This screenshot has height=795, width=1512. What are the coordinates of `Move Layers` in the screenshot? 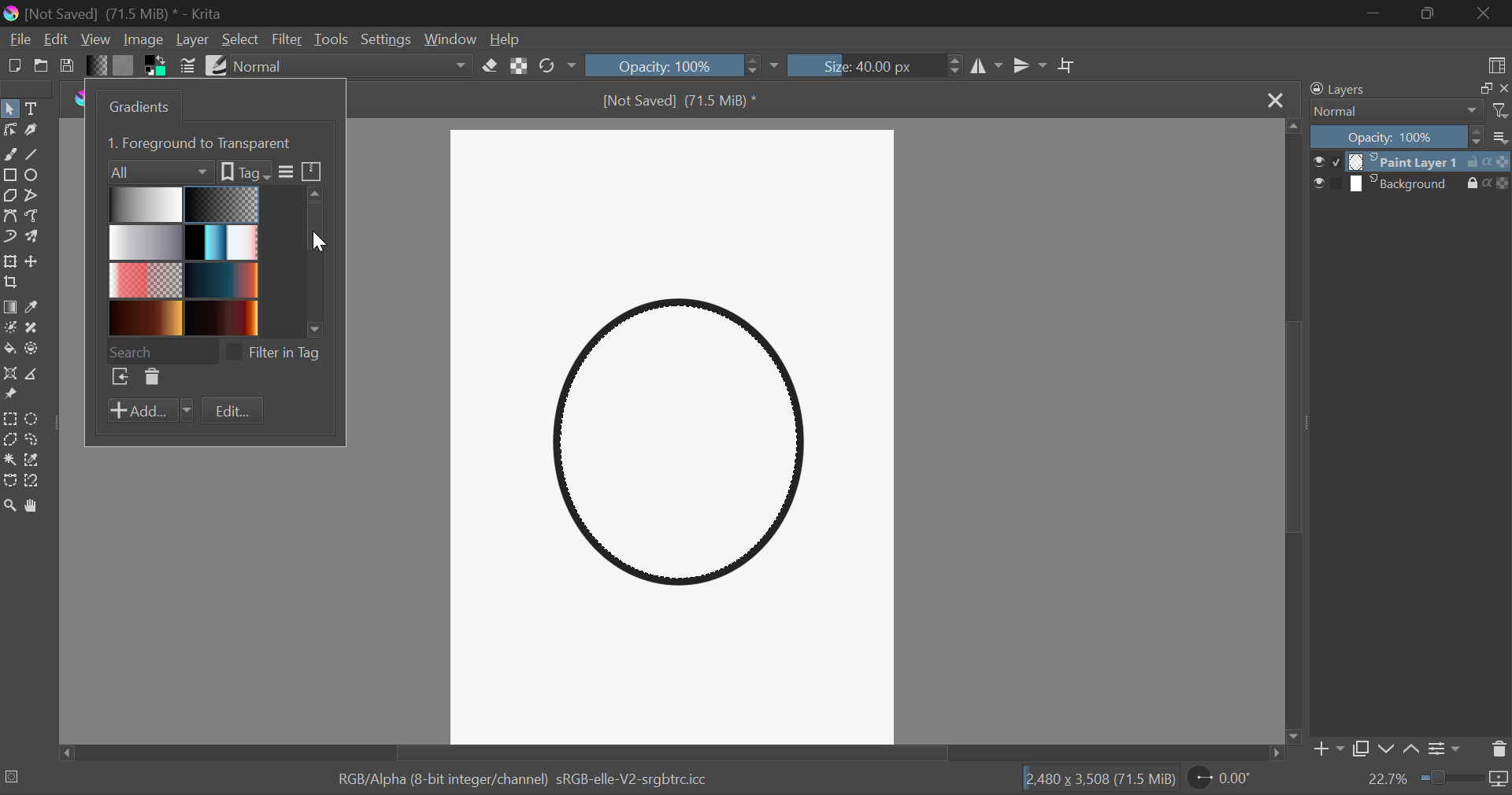 It's located at (35, 264).